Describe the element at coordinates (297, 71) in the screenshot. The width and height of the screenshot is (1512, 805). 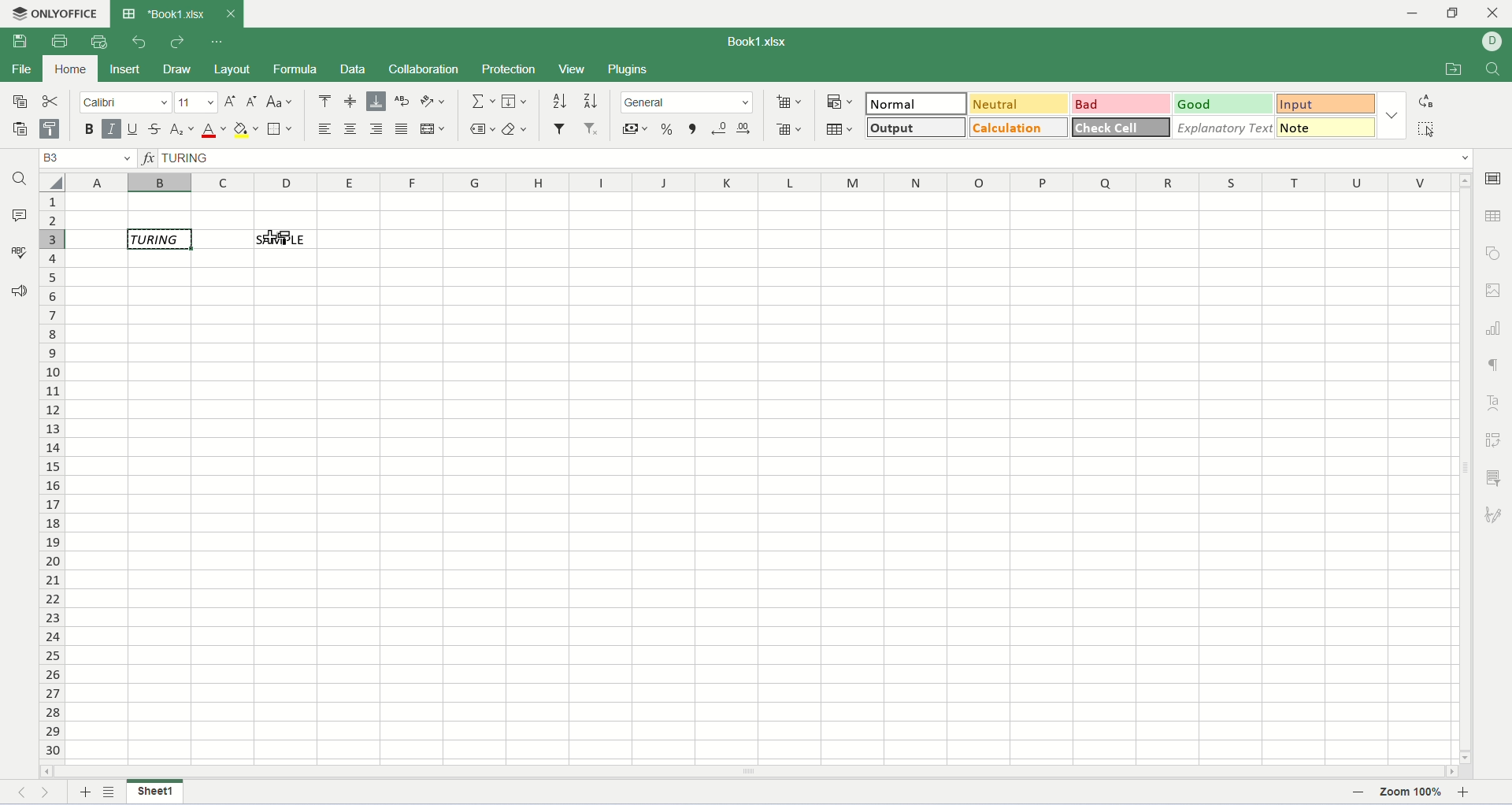
I see `formula` at that location.